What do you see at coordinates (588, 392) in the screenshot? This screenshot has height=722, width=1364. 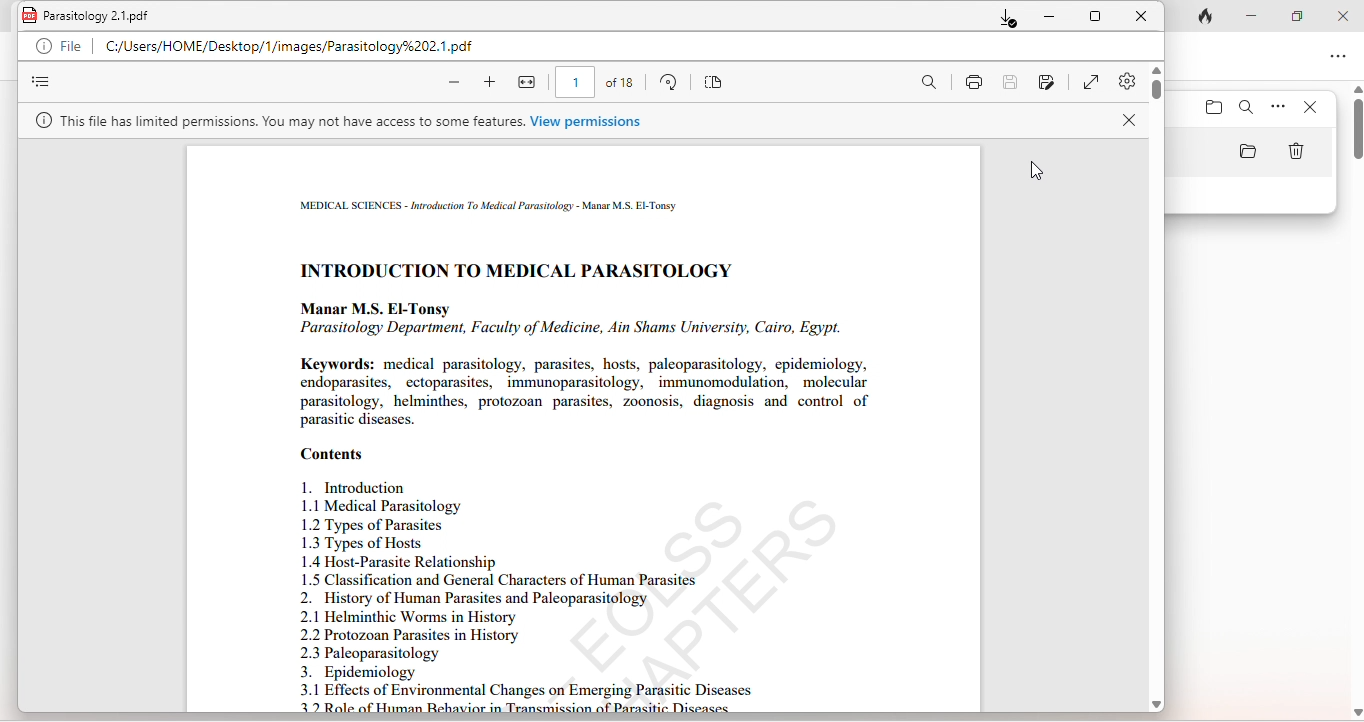 I see `Keywords: medical parasitology, parasites, hosts, paleoparasitology, epidemiology,
endoparasites, ectoparasites, immunoparasitology, - immunomodulation, molecular
parasitology, helminthes, protozoan parasites, zoonosis, diagnosis and control of
parasitic diseases.` at bounding box center [588, 392].